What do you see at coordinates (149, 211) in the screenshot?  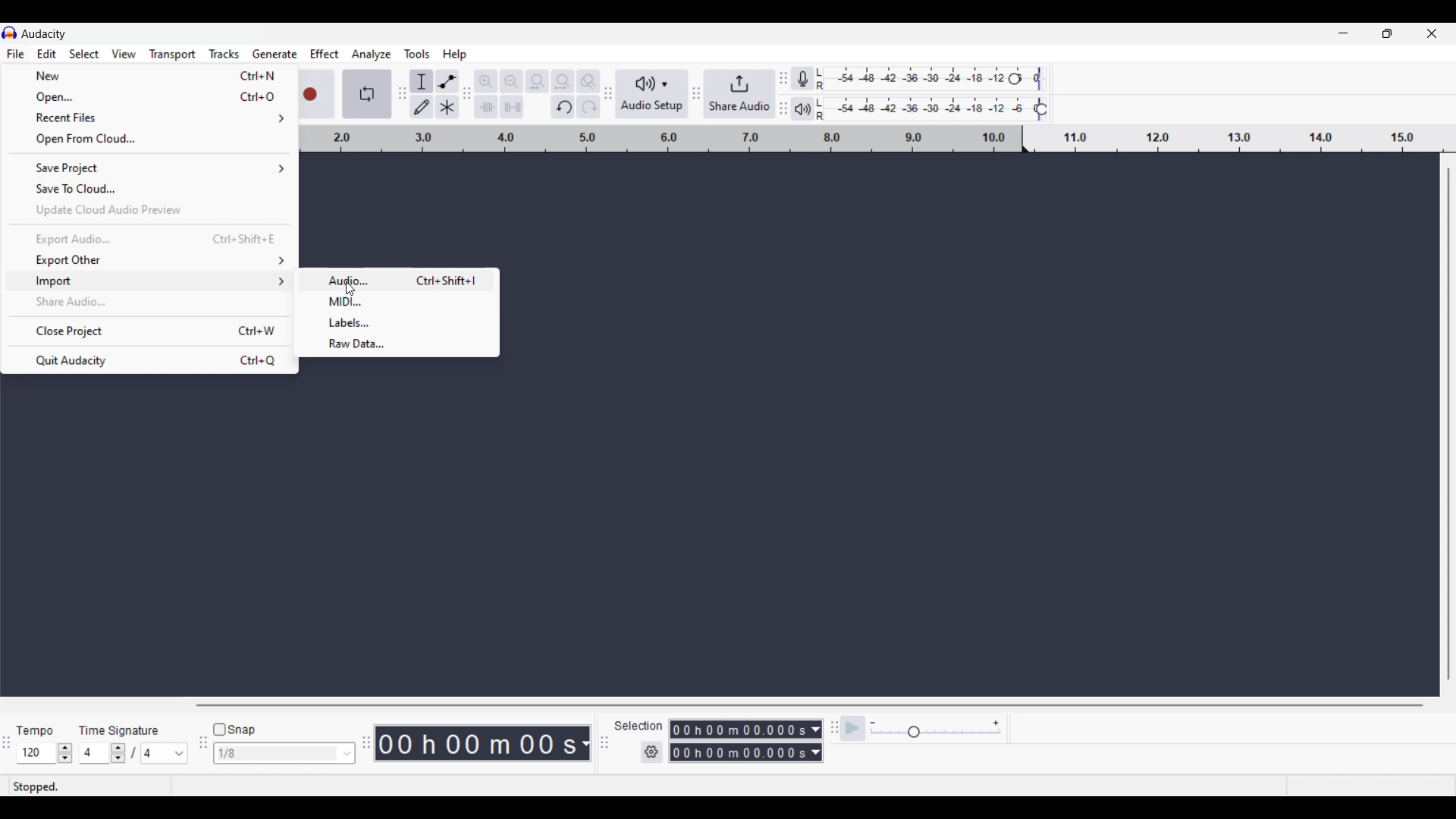 I see `Update cloud audio preview` at bounding box center [149, 211].